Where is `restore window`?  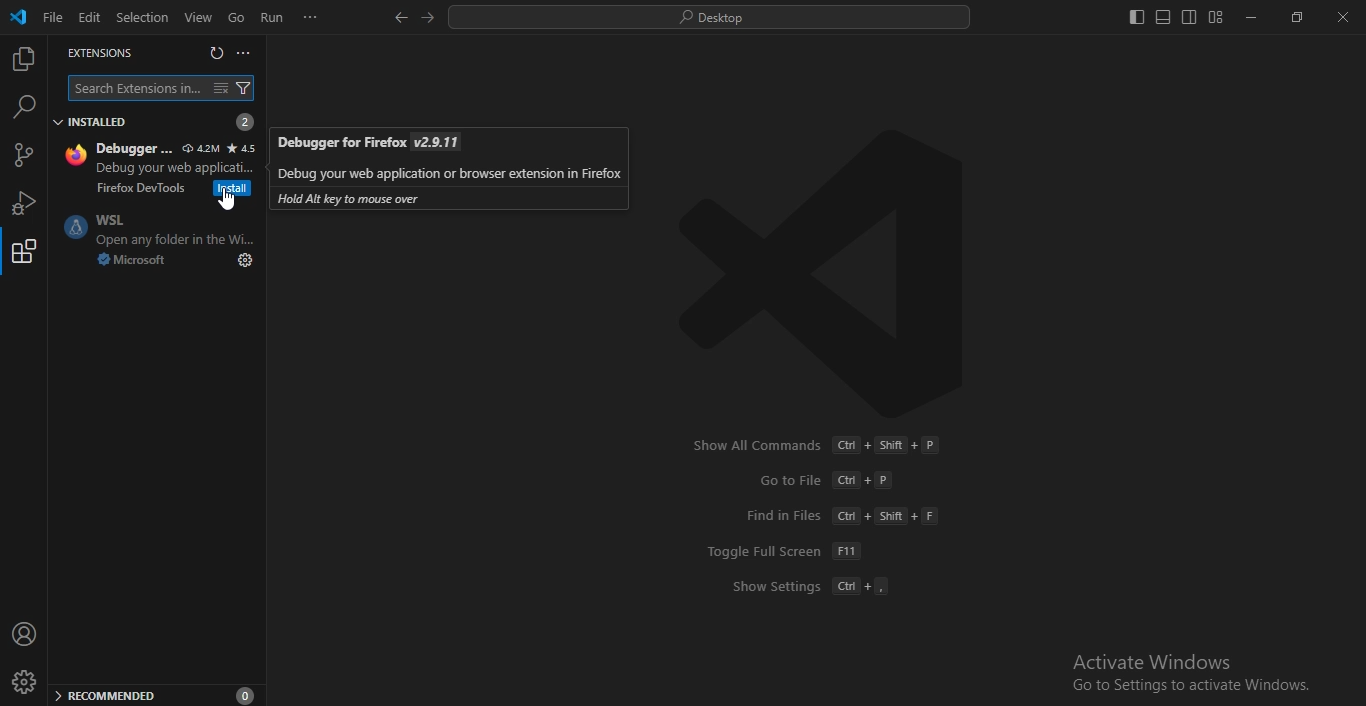
restore window is located at coordinates (1294, 19).